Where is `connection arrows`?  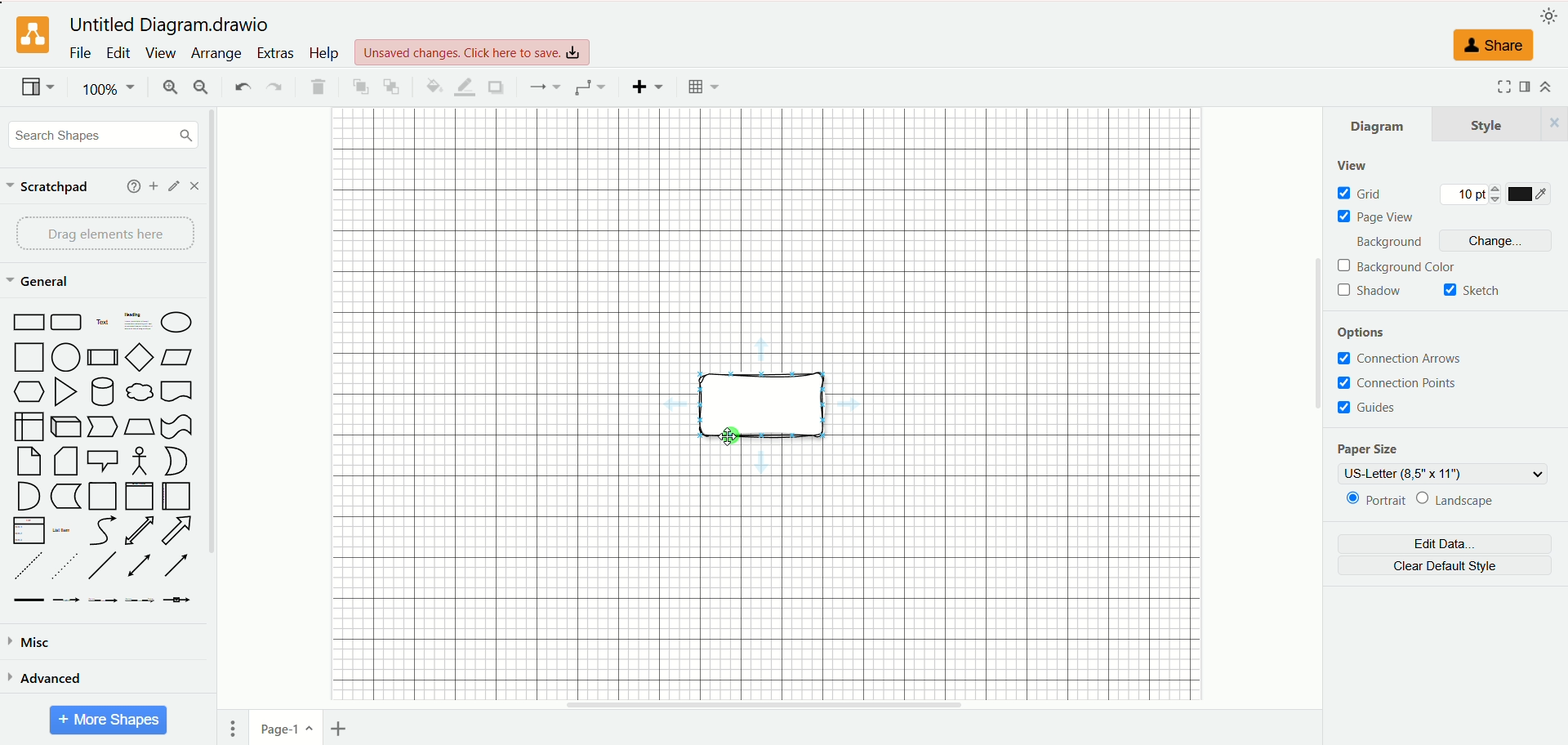 connection arrows is located at coordinates (1401, 358).